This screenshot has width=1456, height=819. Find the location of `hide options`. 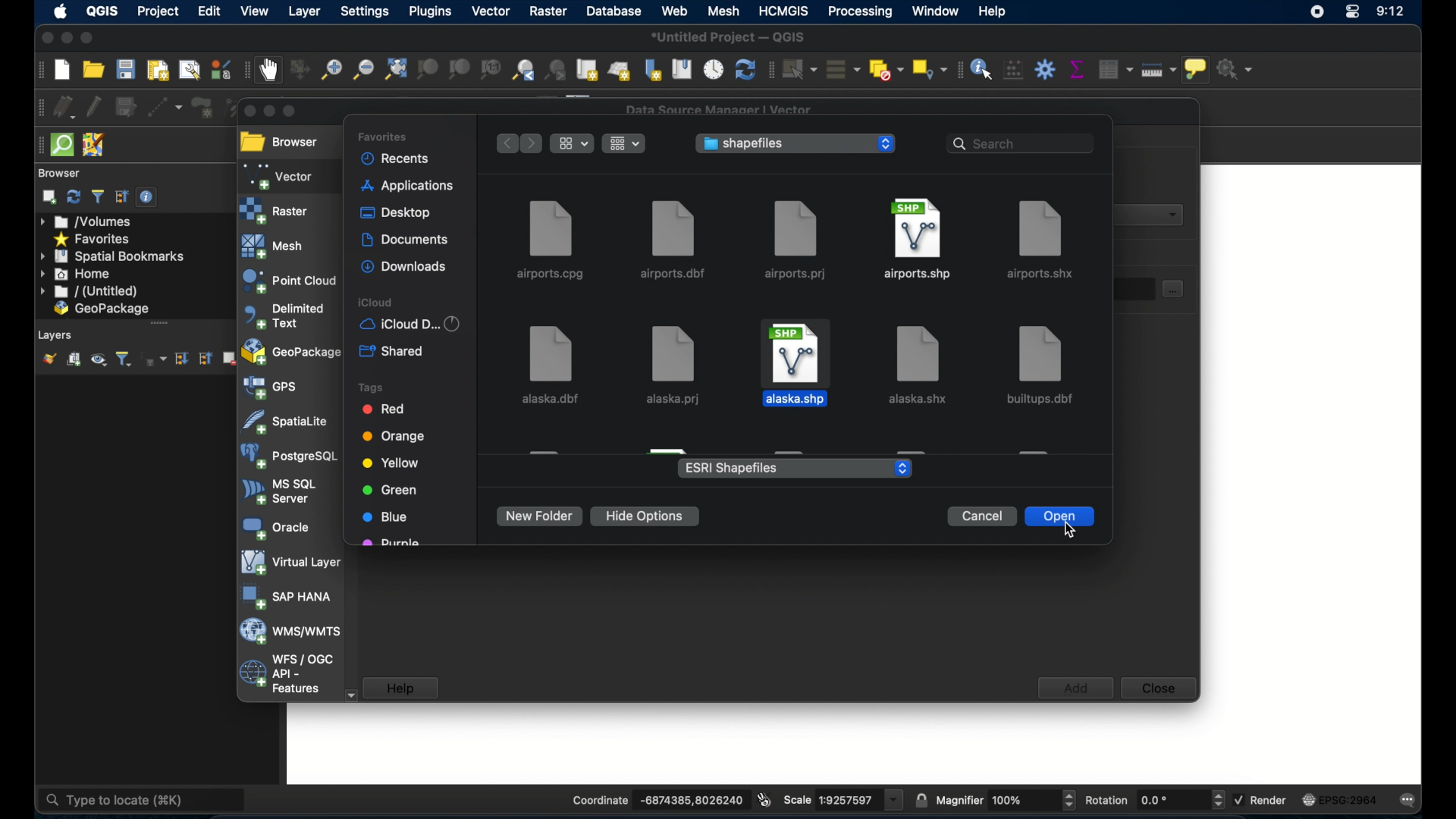

hide options is located at coordinates (644, 517).